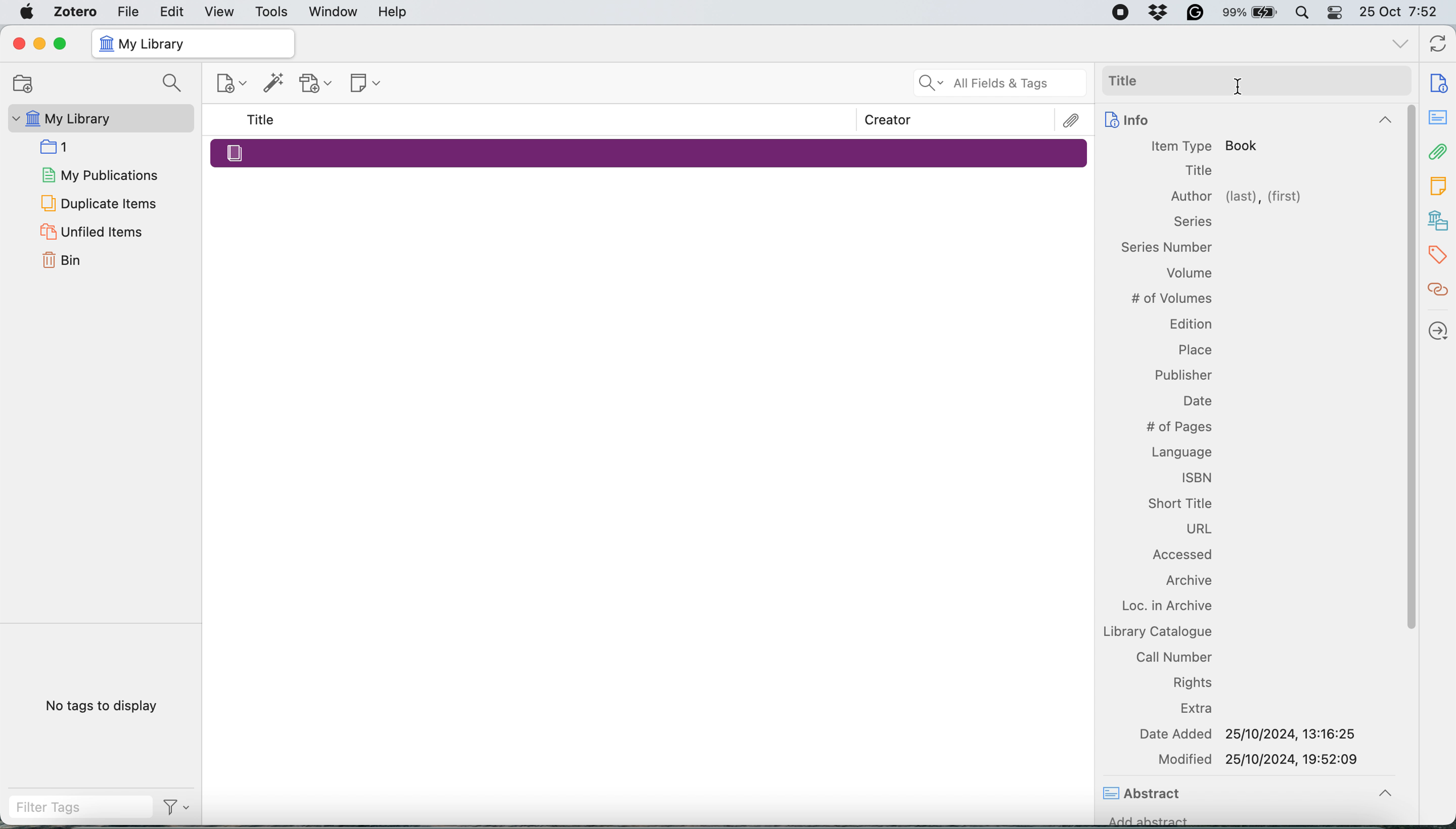 The height and width of the screenshot is (829, 1456). Describe the element at coordinates (105, 708) in the screenshot. I see `No tags to display` at that location.